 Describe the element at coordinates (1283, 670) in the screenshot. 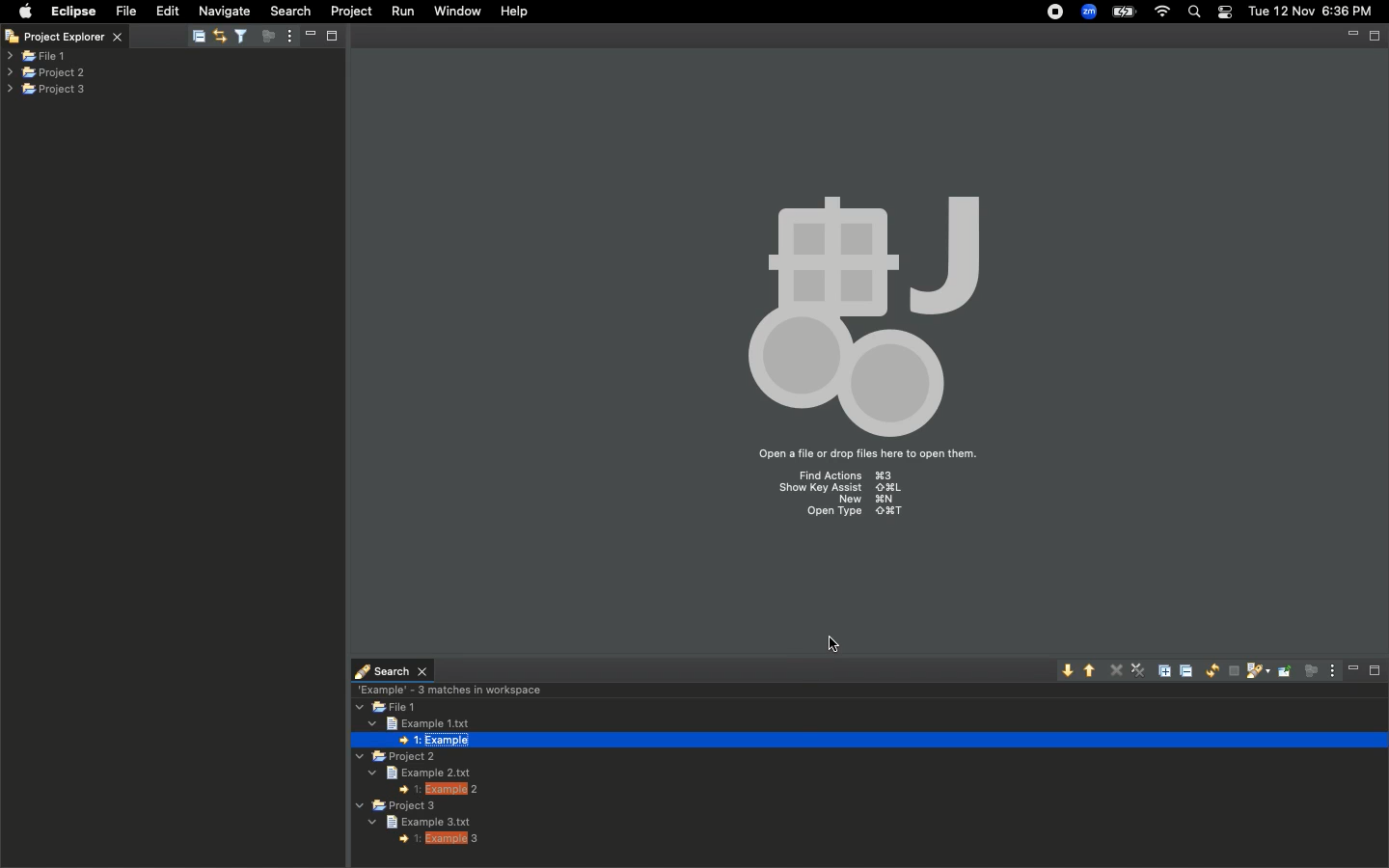

I see `Pin the search view` at that location.